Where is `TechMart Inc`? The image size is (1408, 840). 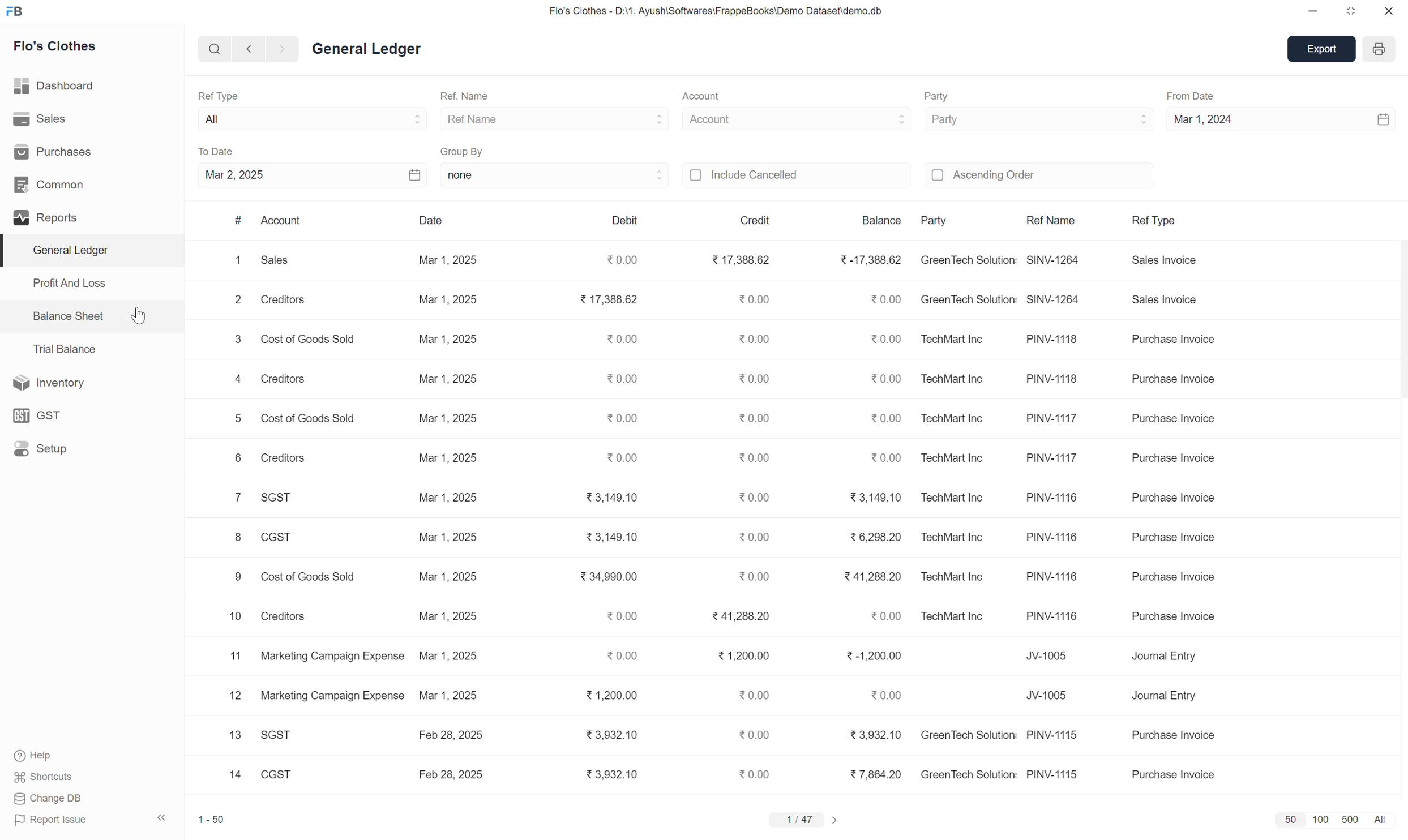 TechMart Inc is located at coordinates (955, 614).